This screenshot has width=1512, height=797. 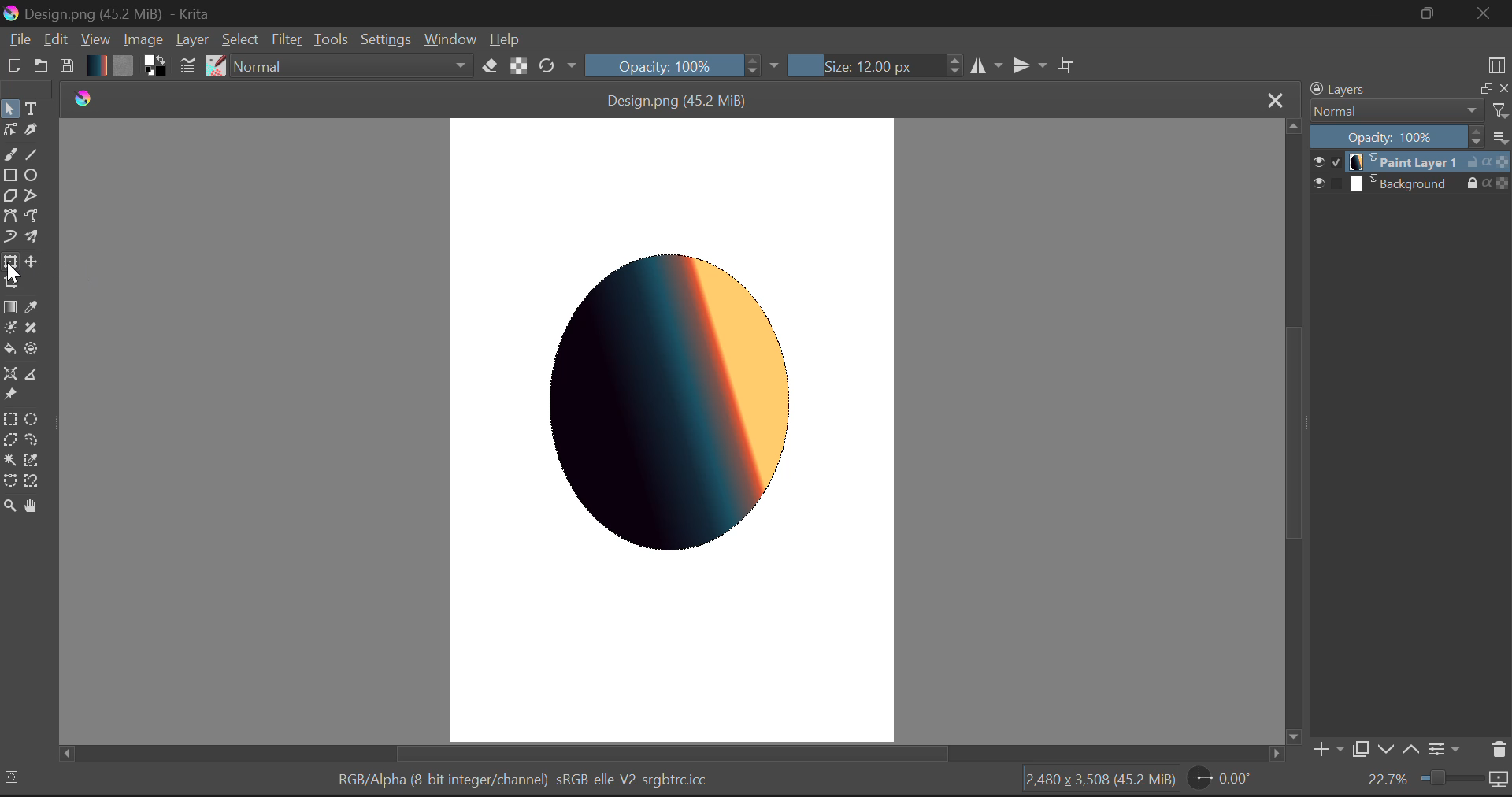 I want to click on RGB/Alpha(8-bit integer/channel) sRGB-elle-V2-srgbttrc.icc, so click(x=502, y=778).